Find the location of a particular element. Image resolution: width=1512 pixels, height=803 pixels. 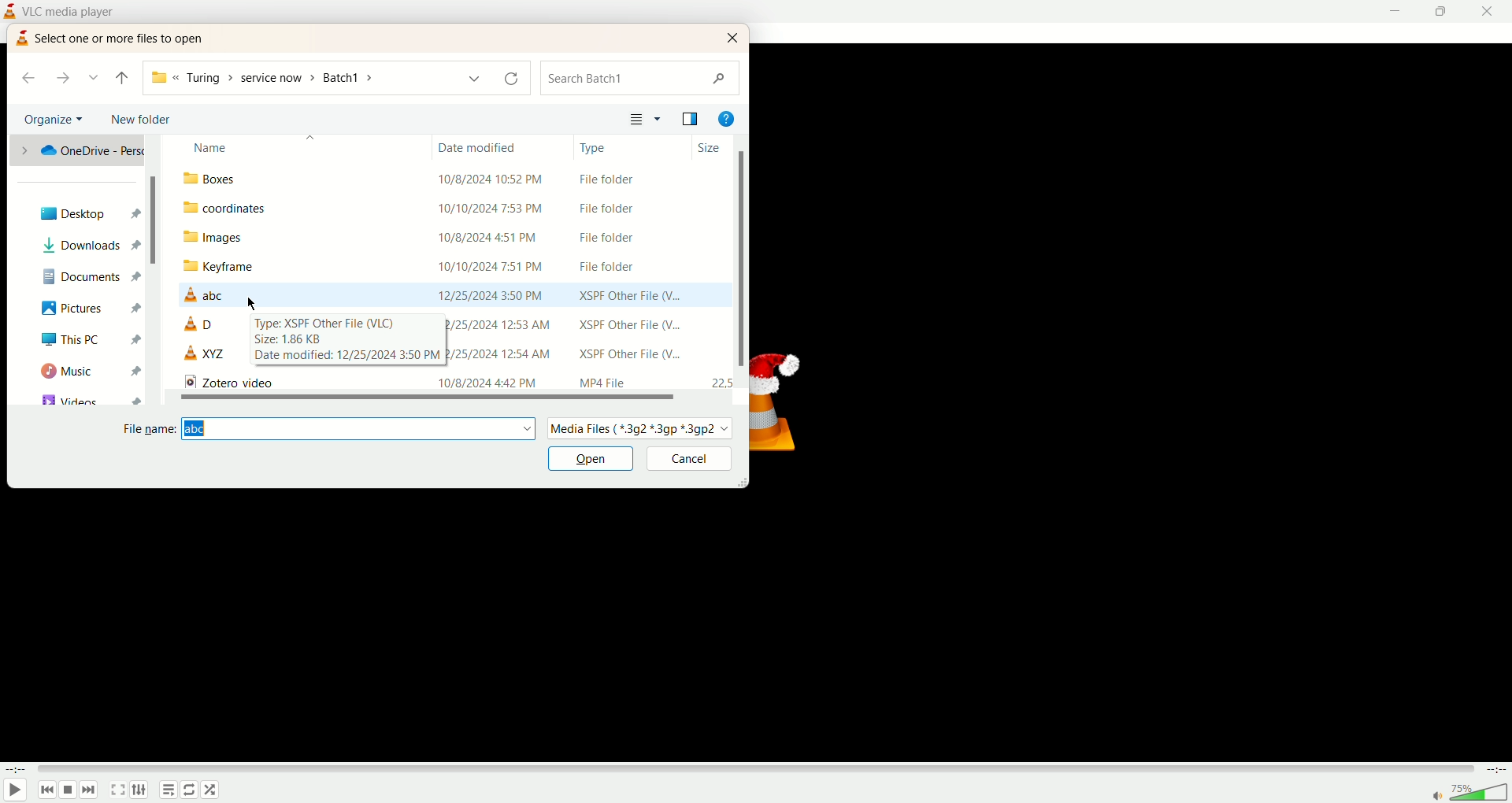

search is located at coordinates (642, 76).